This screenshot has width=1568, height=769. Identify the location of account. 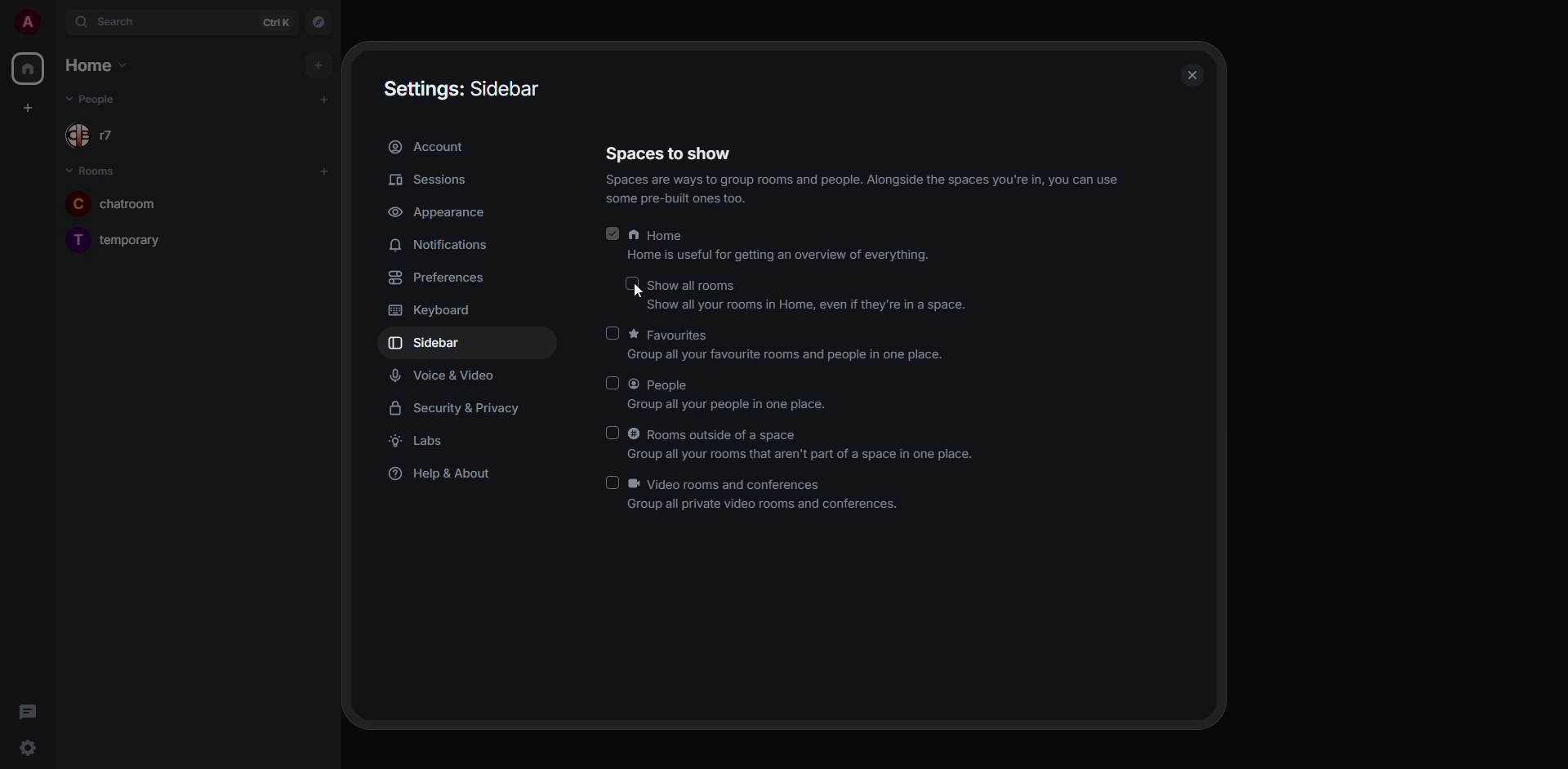
(433, 147).